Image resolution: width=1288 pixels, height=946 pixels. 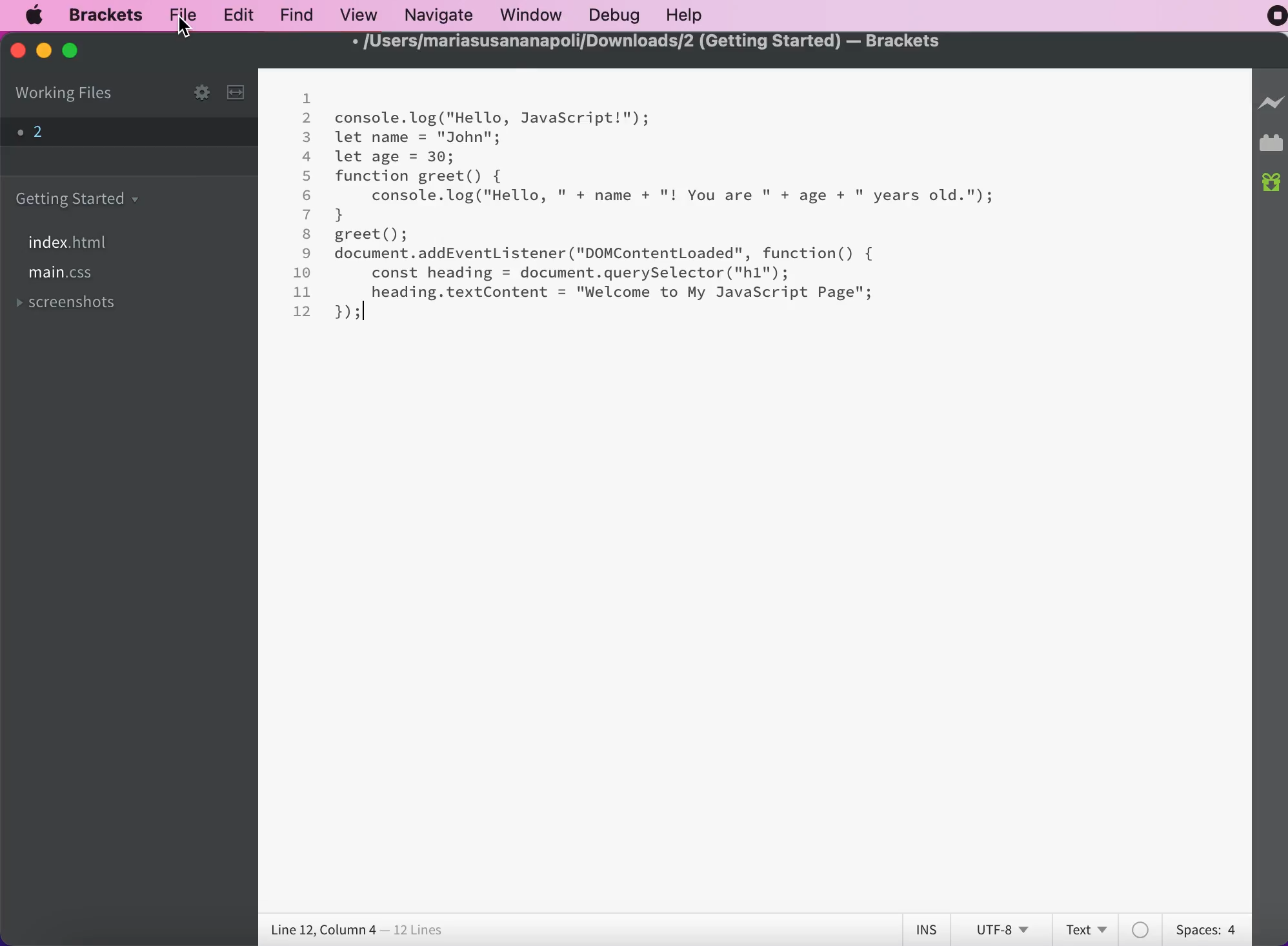 I want to click on 12, so click(x=304, y=311).